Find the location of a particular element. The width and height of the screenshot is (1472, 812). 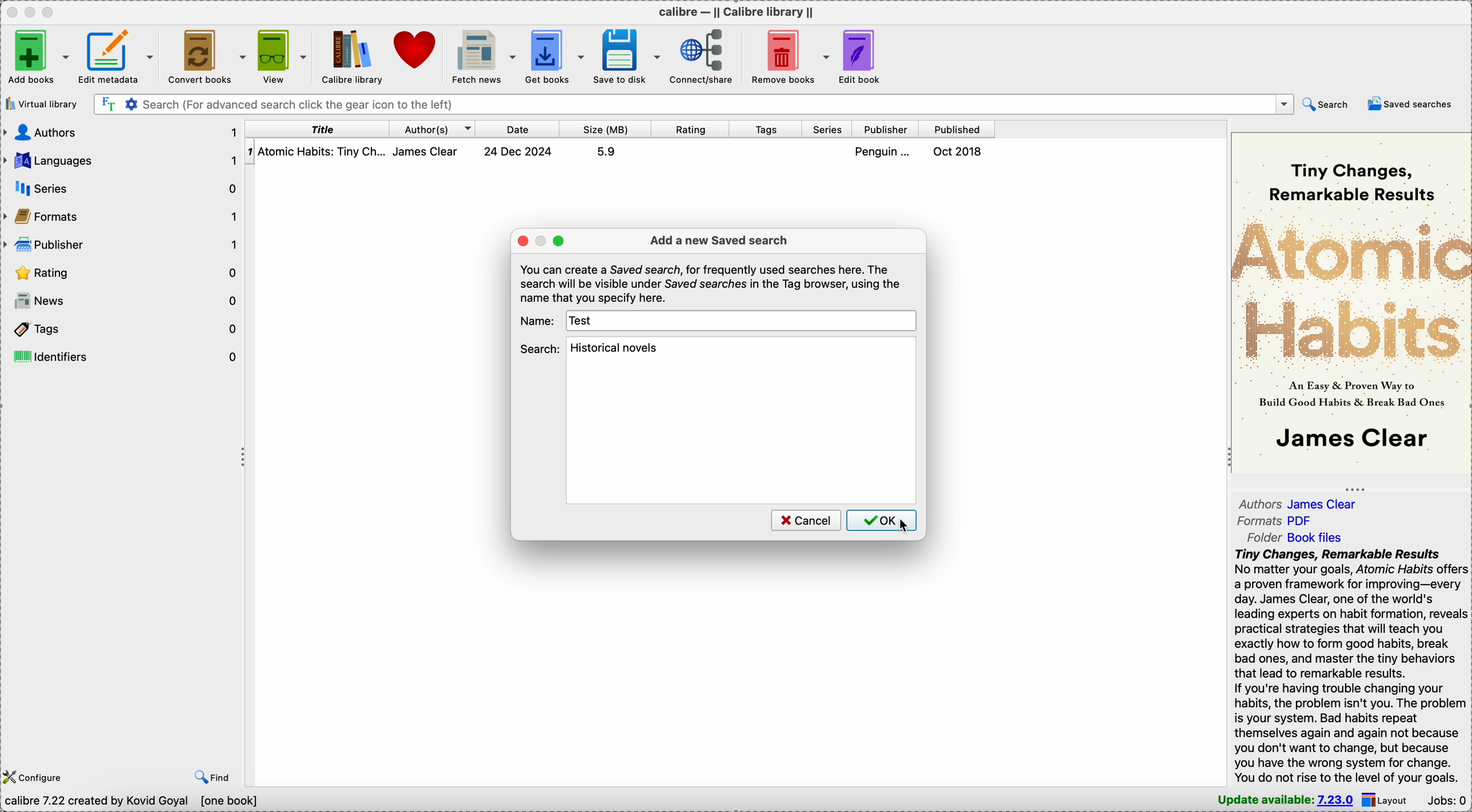

date is located at coordinates (518, 129).